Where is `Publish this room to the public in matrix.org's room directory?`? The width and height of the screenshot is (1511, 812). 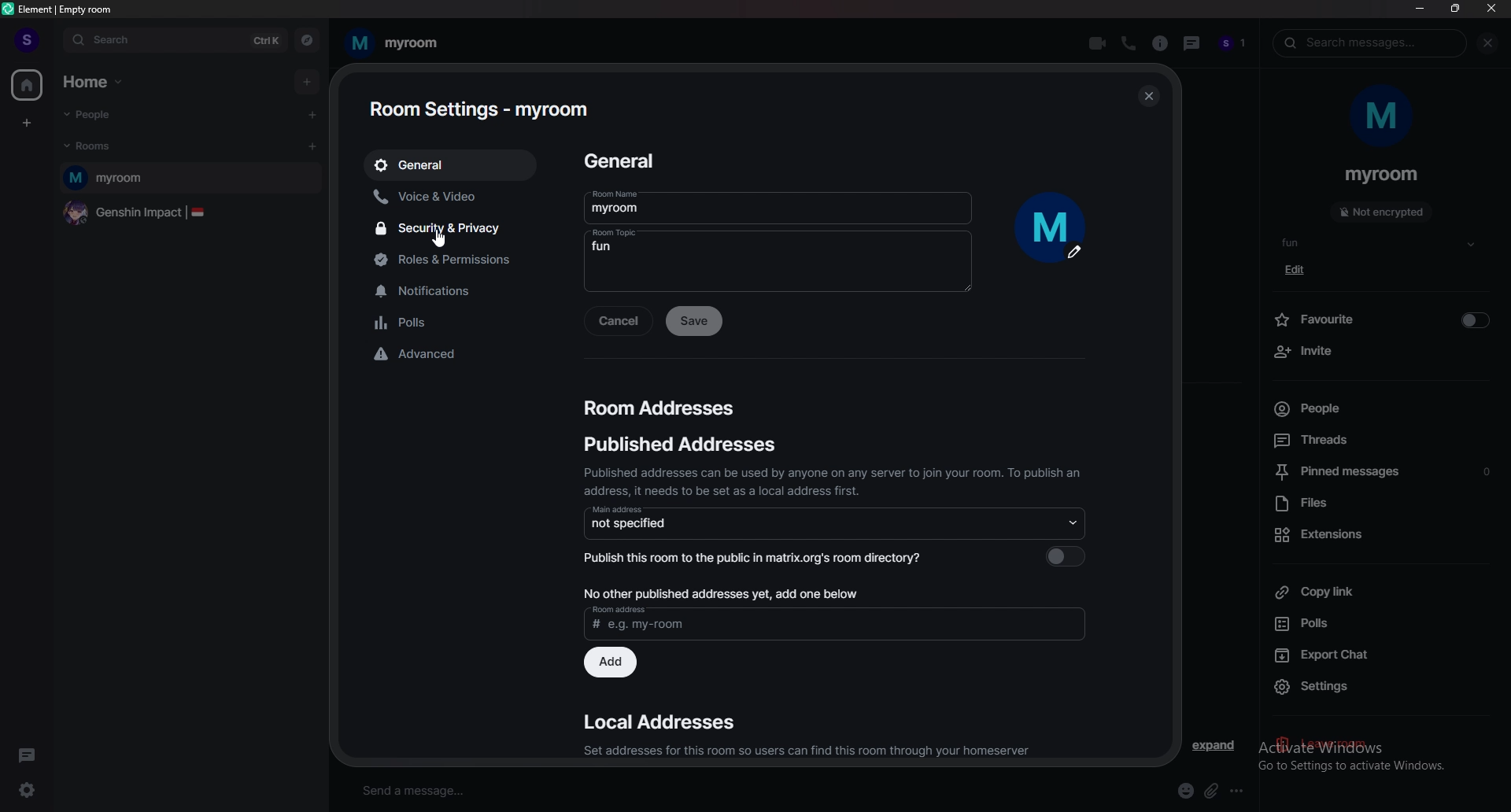 Publish this room to the public in matrix.org's room directory? is located at coordinates (832, 556).